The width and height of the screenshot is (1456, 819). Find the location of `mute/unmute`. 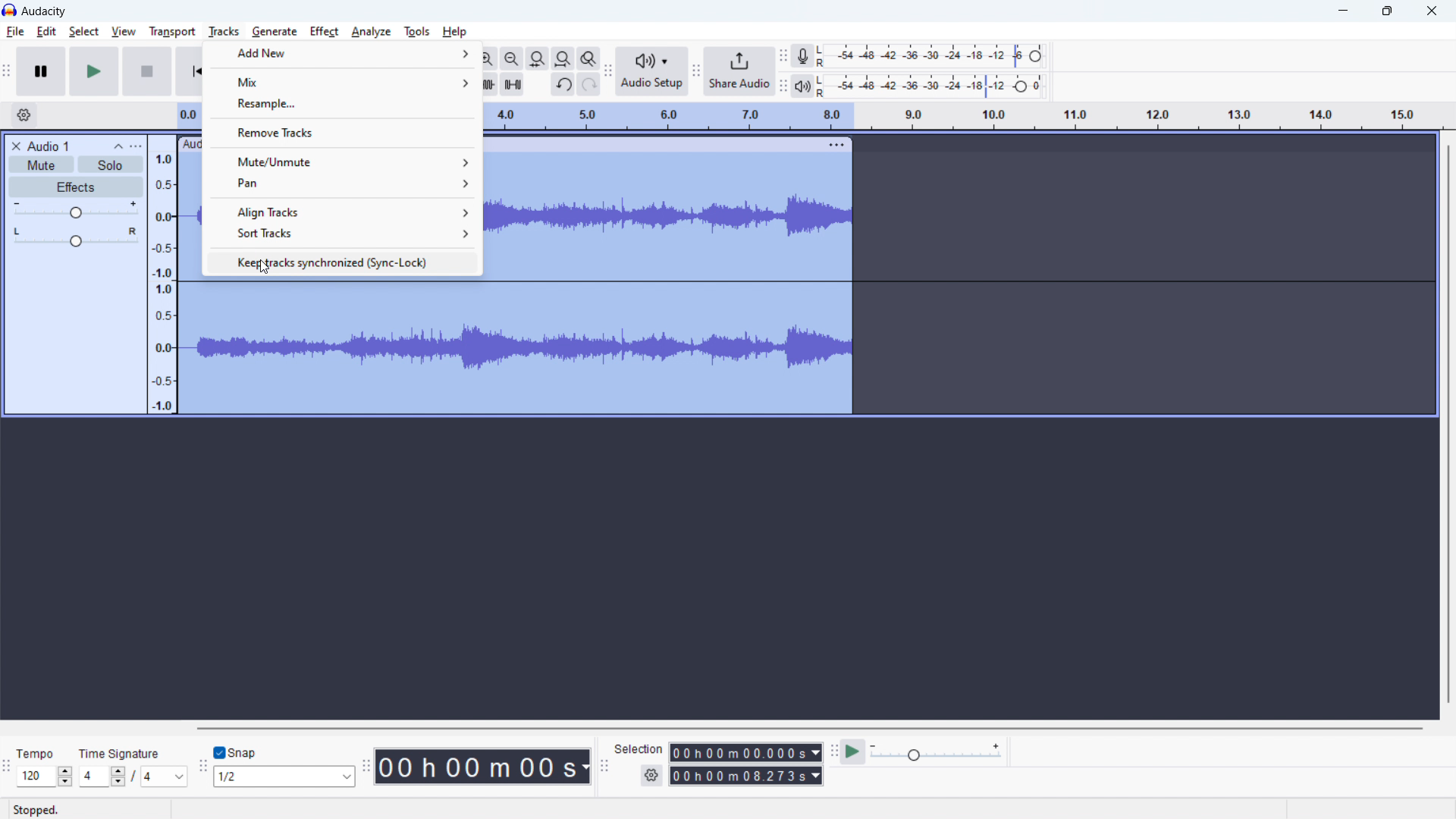

mute/unmute is located at coordinates (342, 161).